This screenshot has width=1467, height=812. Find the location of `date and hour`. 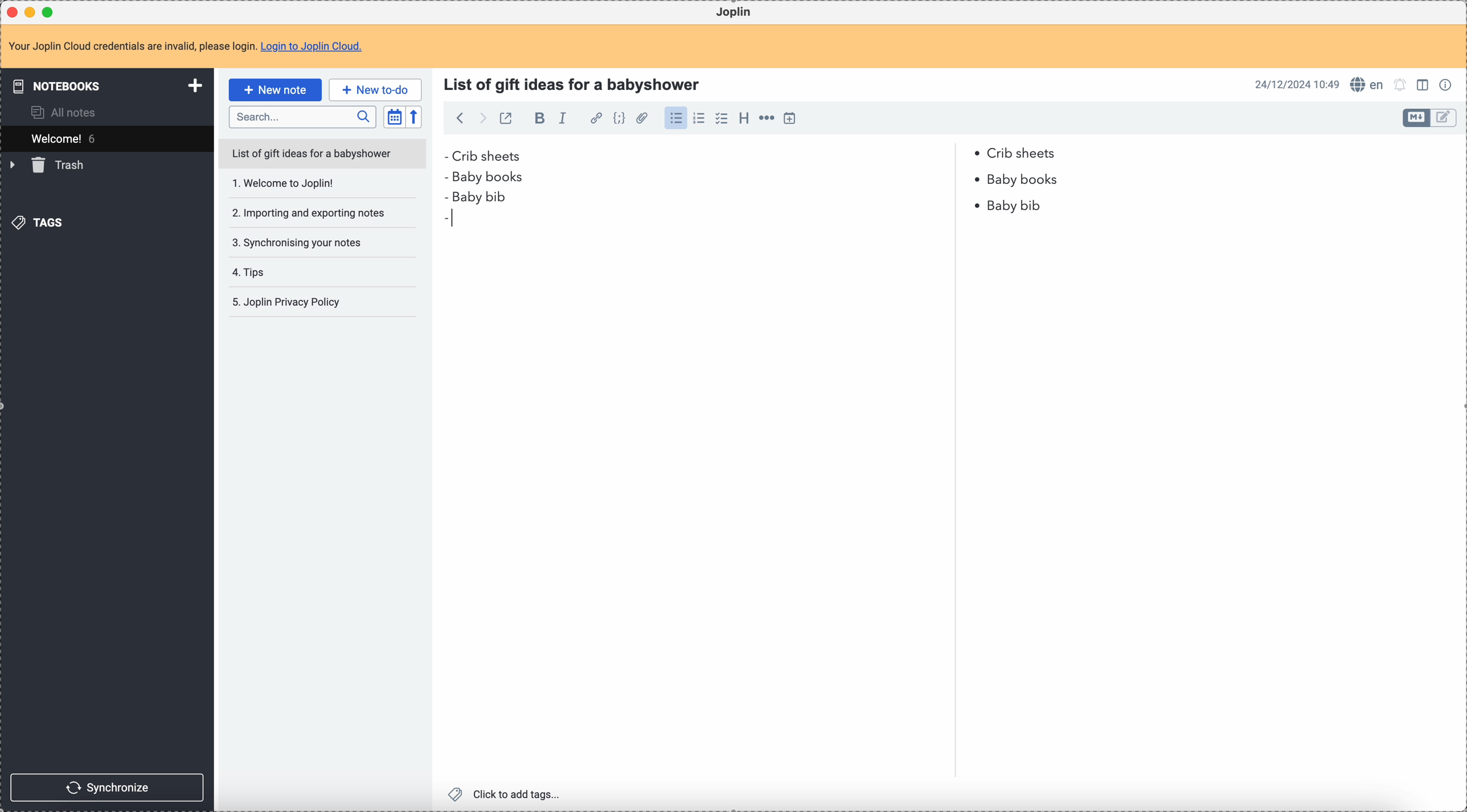

date and hour is located at coordinates (1297, 84).